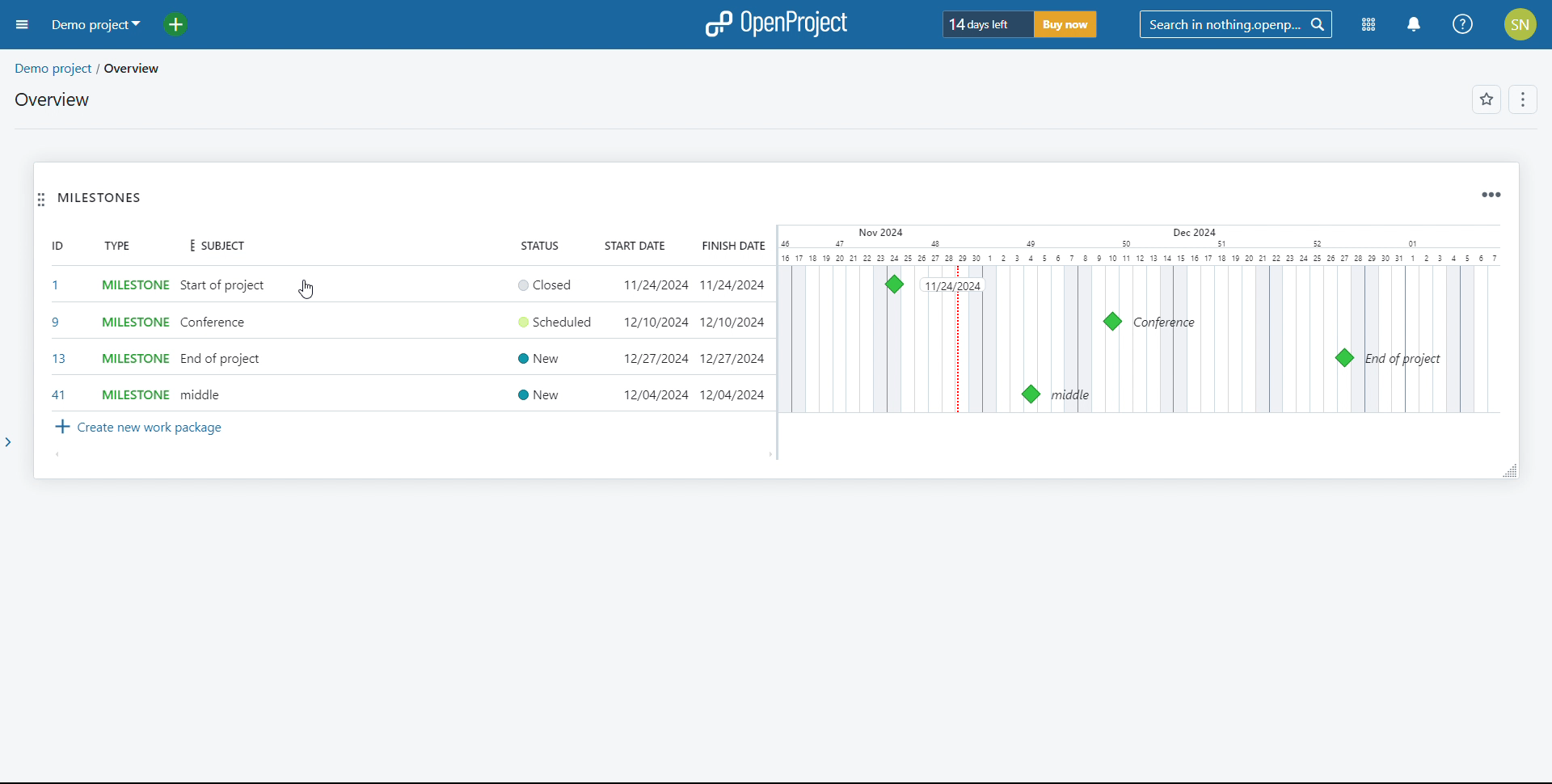 This screenshot has height=784, width=1552. I want to click on resize, so click(1508, 470).